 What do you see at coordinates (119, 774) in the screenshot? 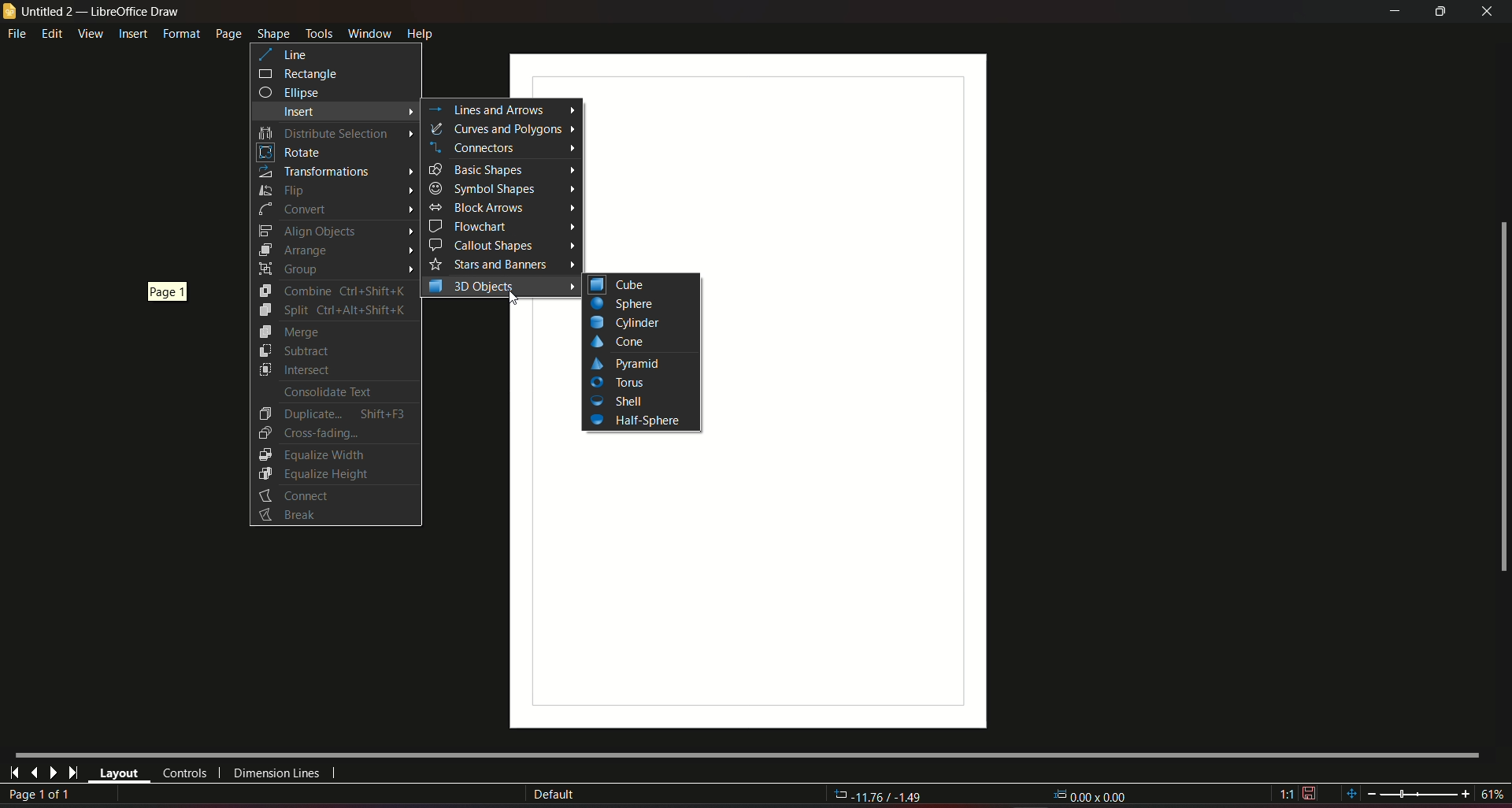
I see `layout` at bounding box center [119, 774].